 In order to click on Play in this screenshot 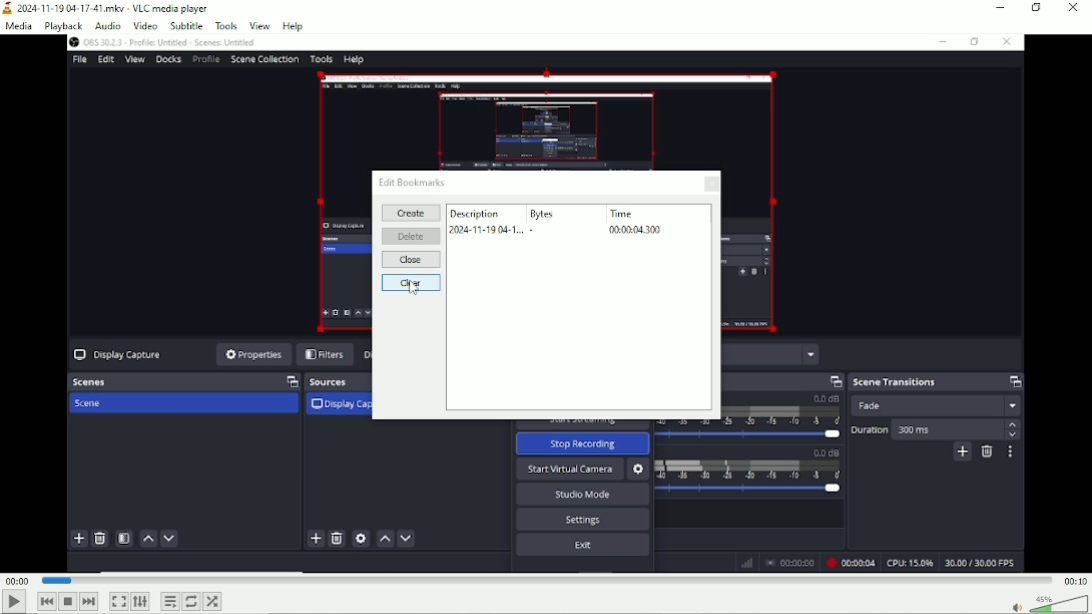, I will do `click(13, 602)`.